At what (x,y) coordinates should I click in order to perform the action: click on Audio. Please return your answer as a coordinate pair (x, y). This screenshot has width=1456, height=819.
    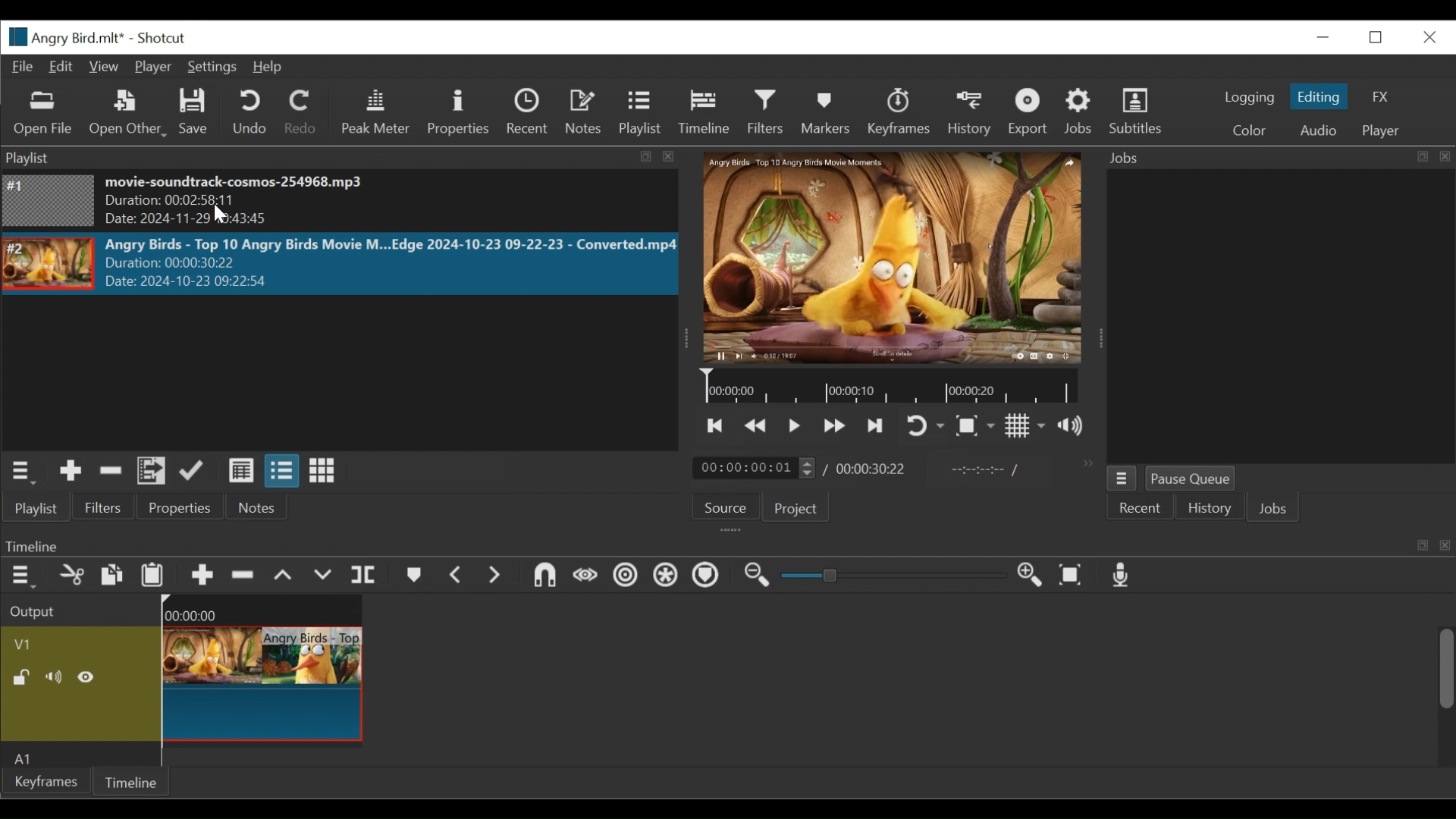
    Looking at the image, I should click on (1319, 130).